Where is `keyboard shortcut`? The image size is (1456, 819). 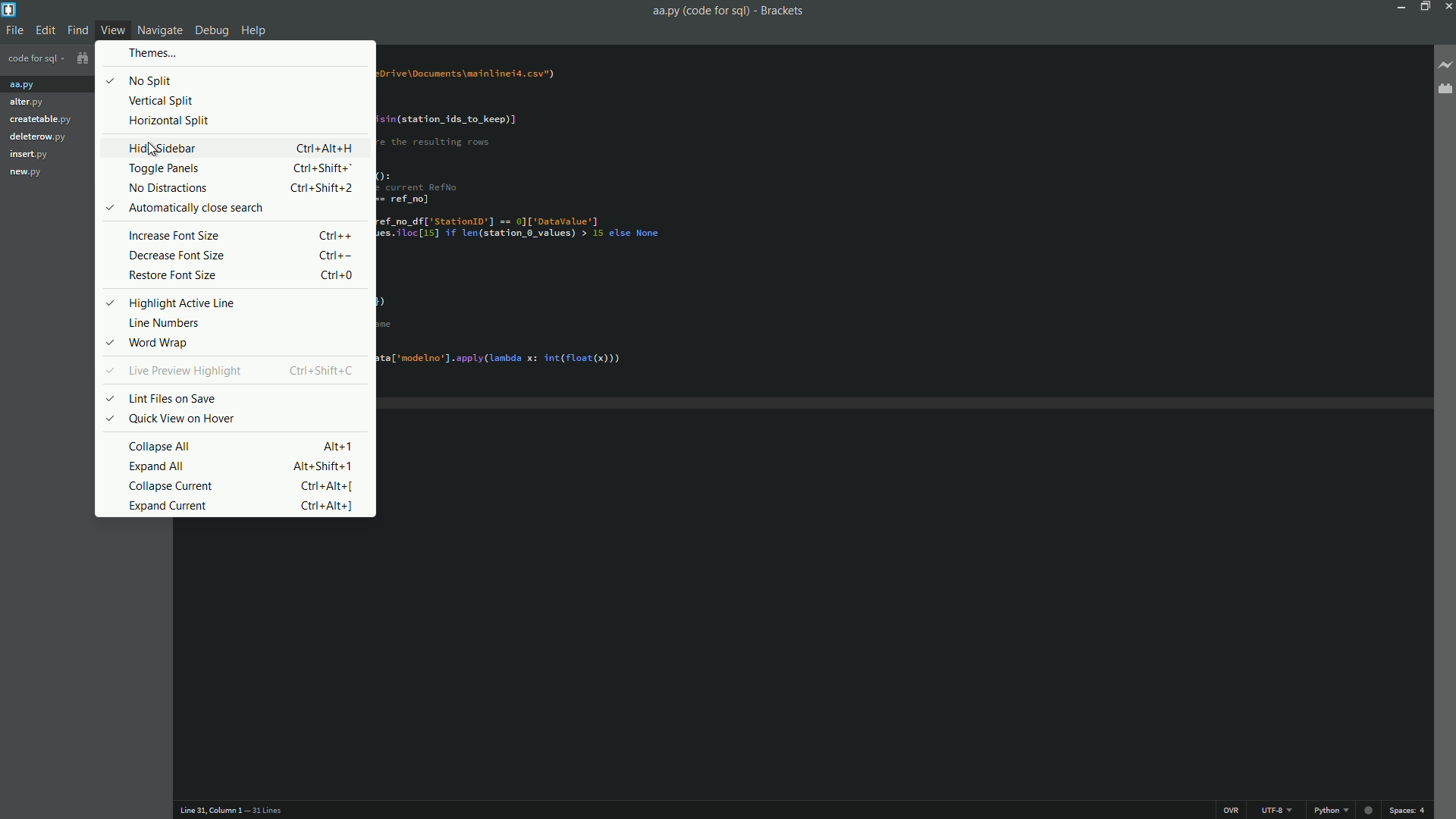 keyboard shortcut is located at coordinates (325, 149).